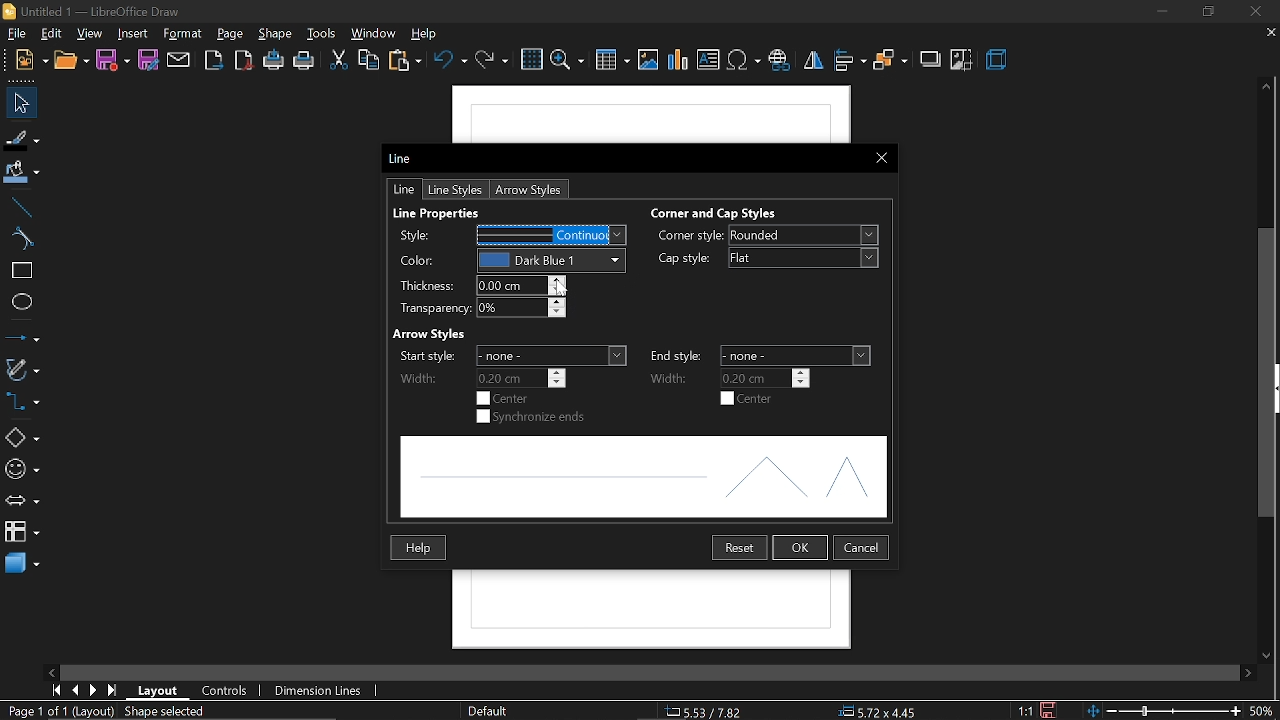 This screenshot has width=1280, height=720. I want to click on vertical scrollbar, so click(1267, 375).